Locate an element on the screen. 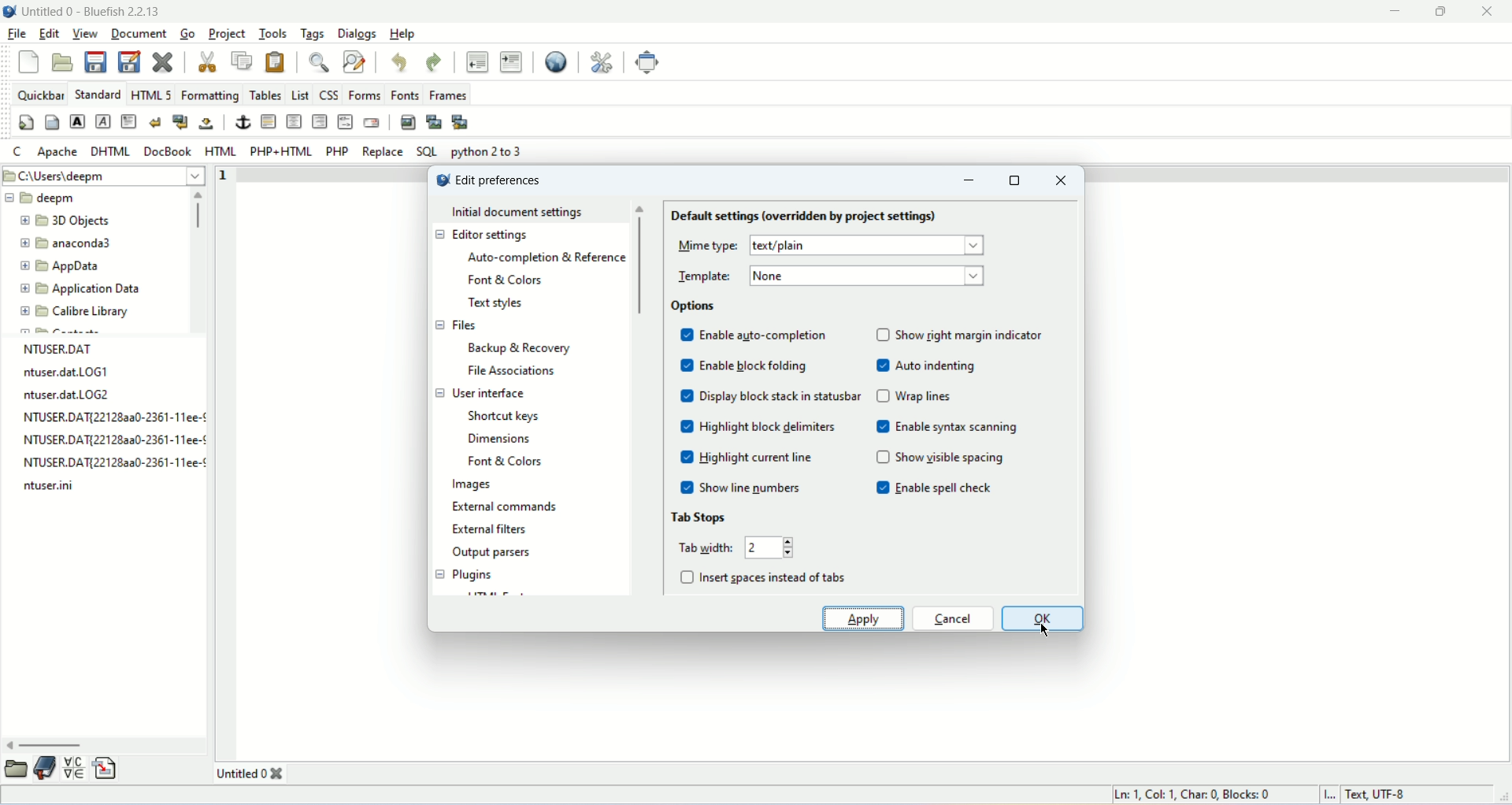  NTUSER.DAT is located at coordinates (57, 348).